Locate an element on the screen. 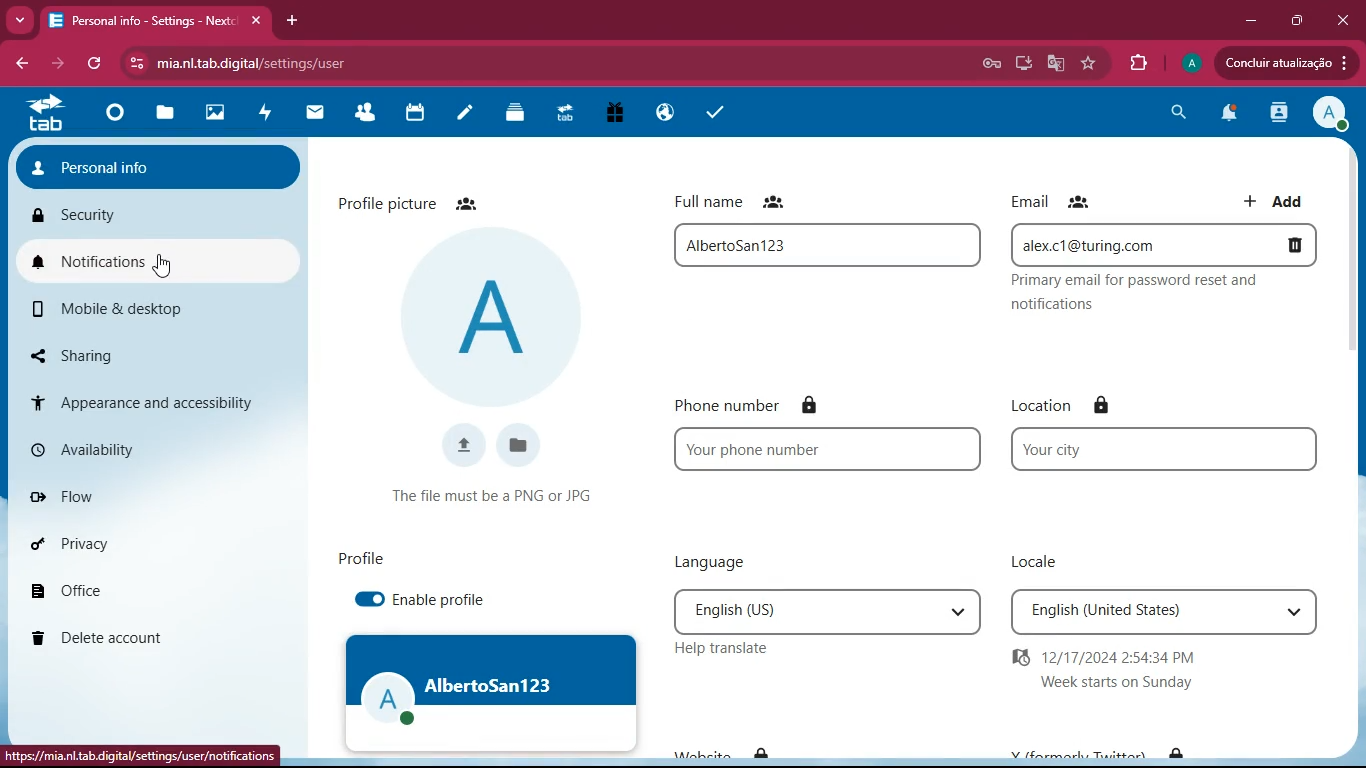  phone number is located at coordinates (792, 404).